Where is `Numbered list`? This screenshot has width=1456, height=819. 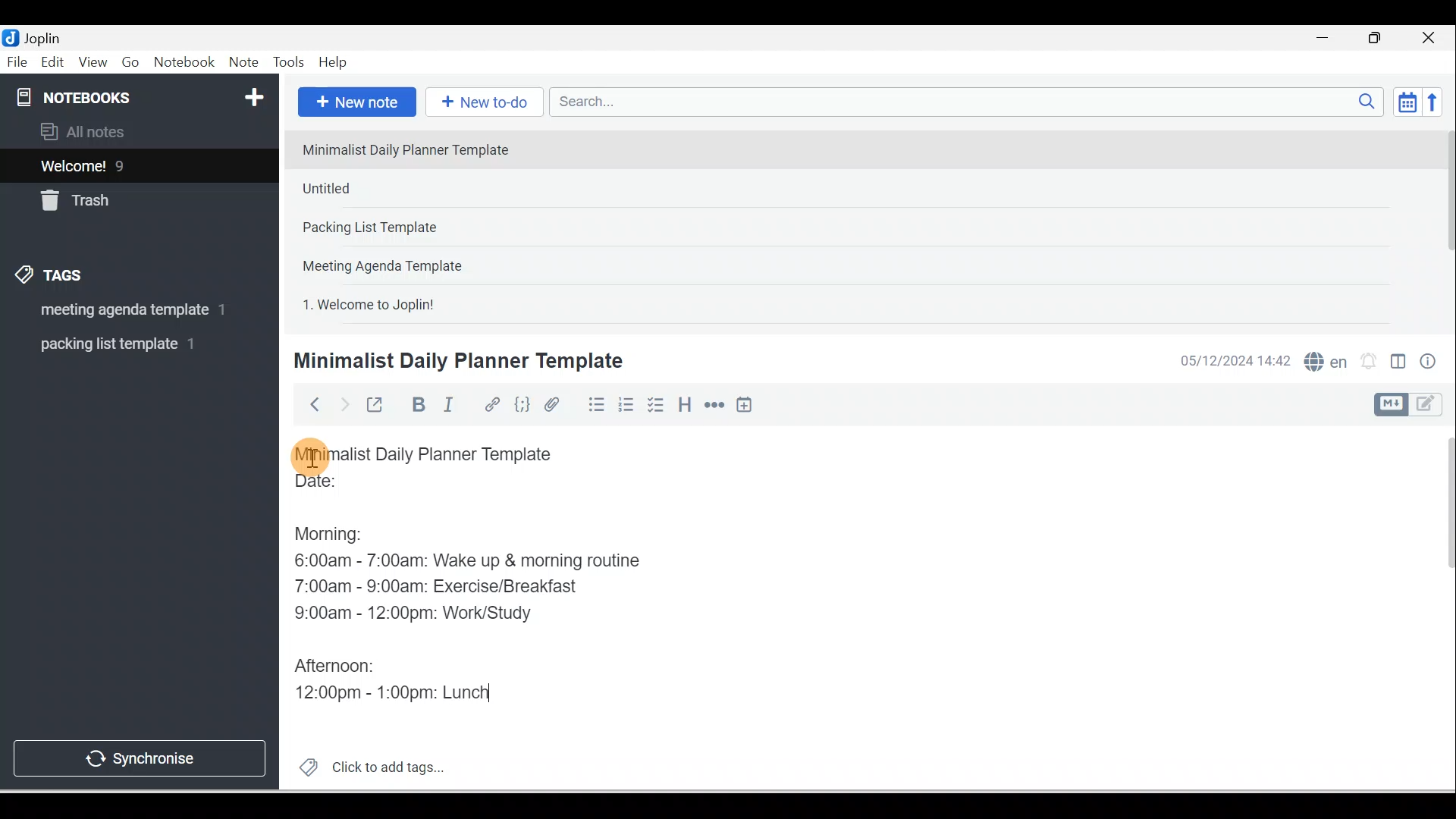 Numbered list is located at coordinates (626, 404).